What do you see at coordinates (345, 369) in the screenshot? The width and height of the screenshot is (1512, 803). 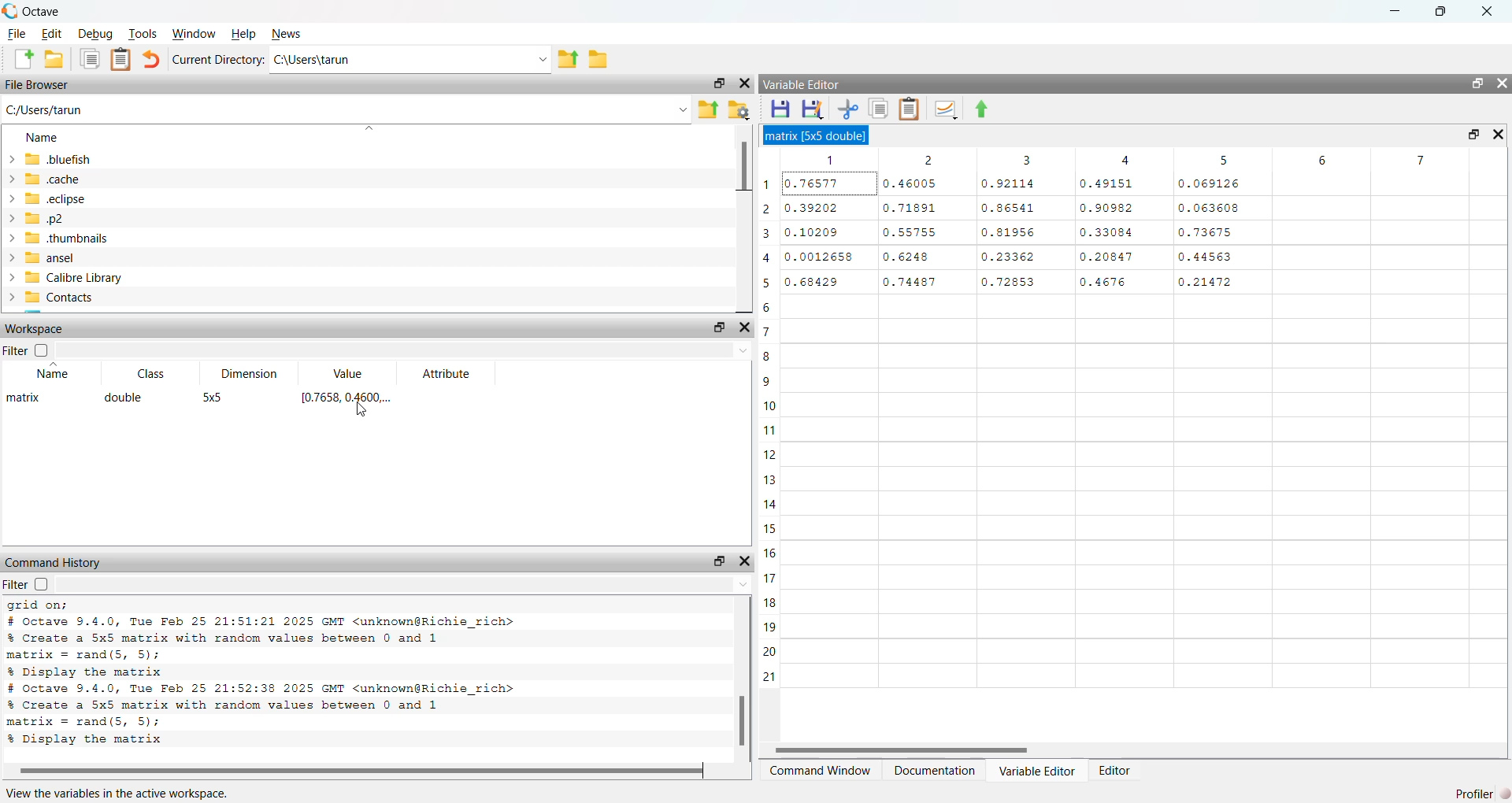 I see `Value` at bounding box center [345, 369].